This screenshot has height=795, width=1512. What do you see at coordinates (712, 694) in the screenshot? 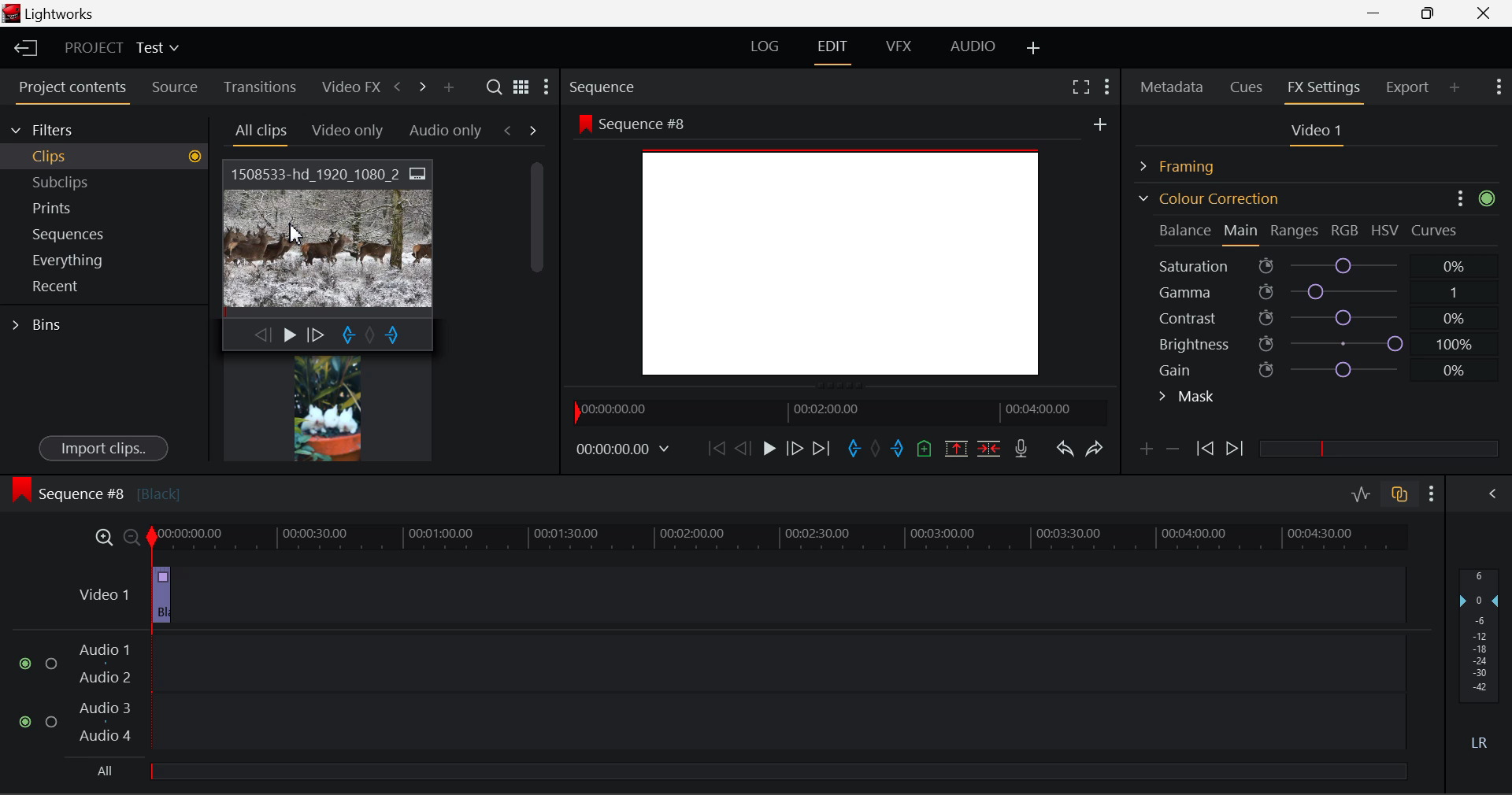
I see `Audio Input Fields` at bounding box center [712, 694].